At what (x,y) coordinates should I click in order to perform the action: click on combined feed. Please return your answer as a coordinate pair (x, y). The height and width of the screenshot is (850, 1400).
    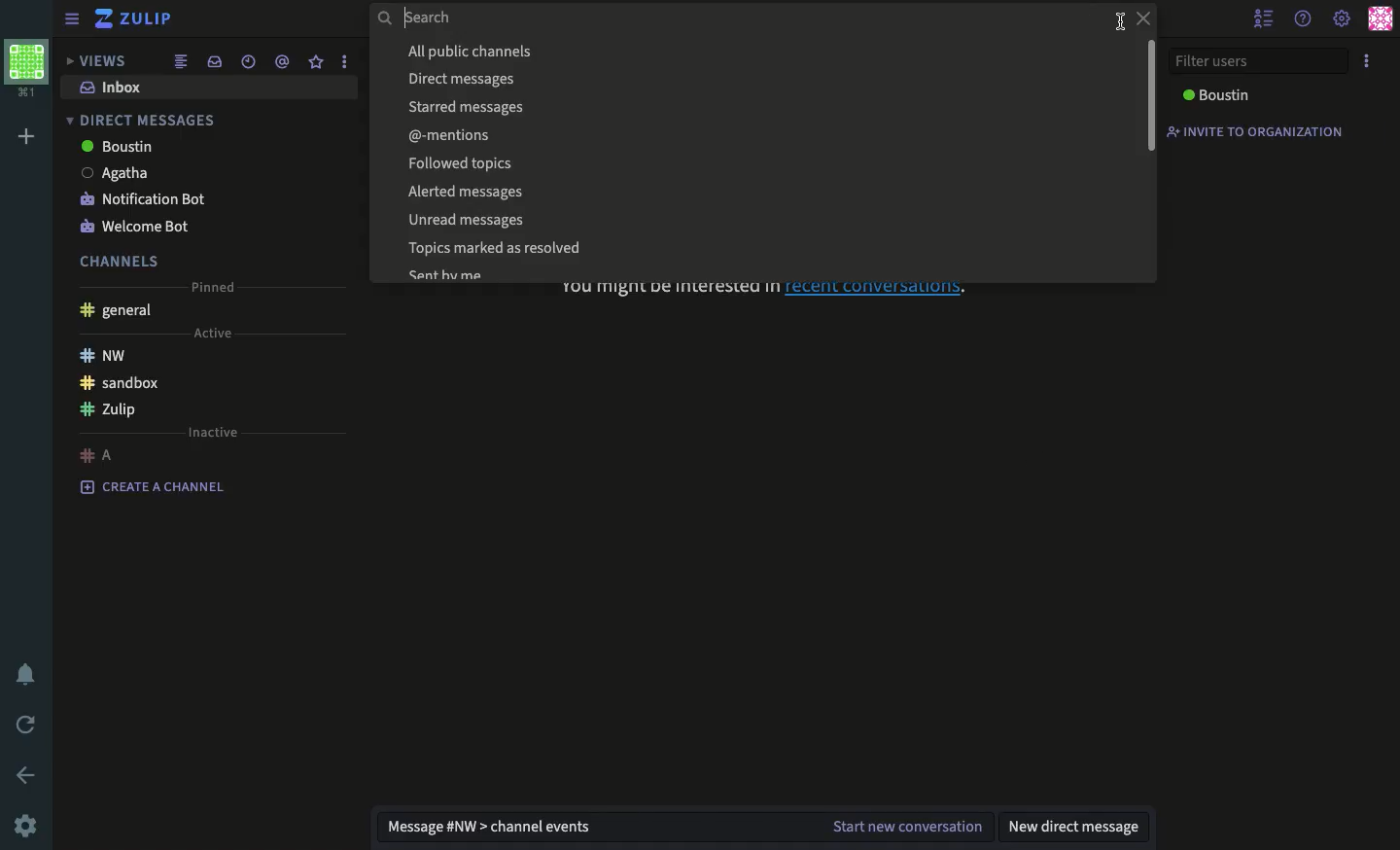
    Looking at the image, I should click on (179, 60).